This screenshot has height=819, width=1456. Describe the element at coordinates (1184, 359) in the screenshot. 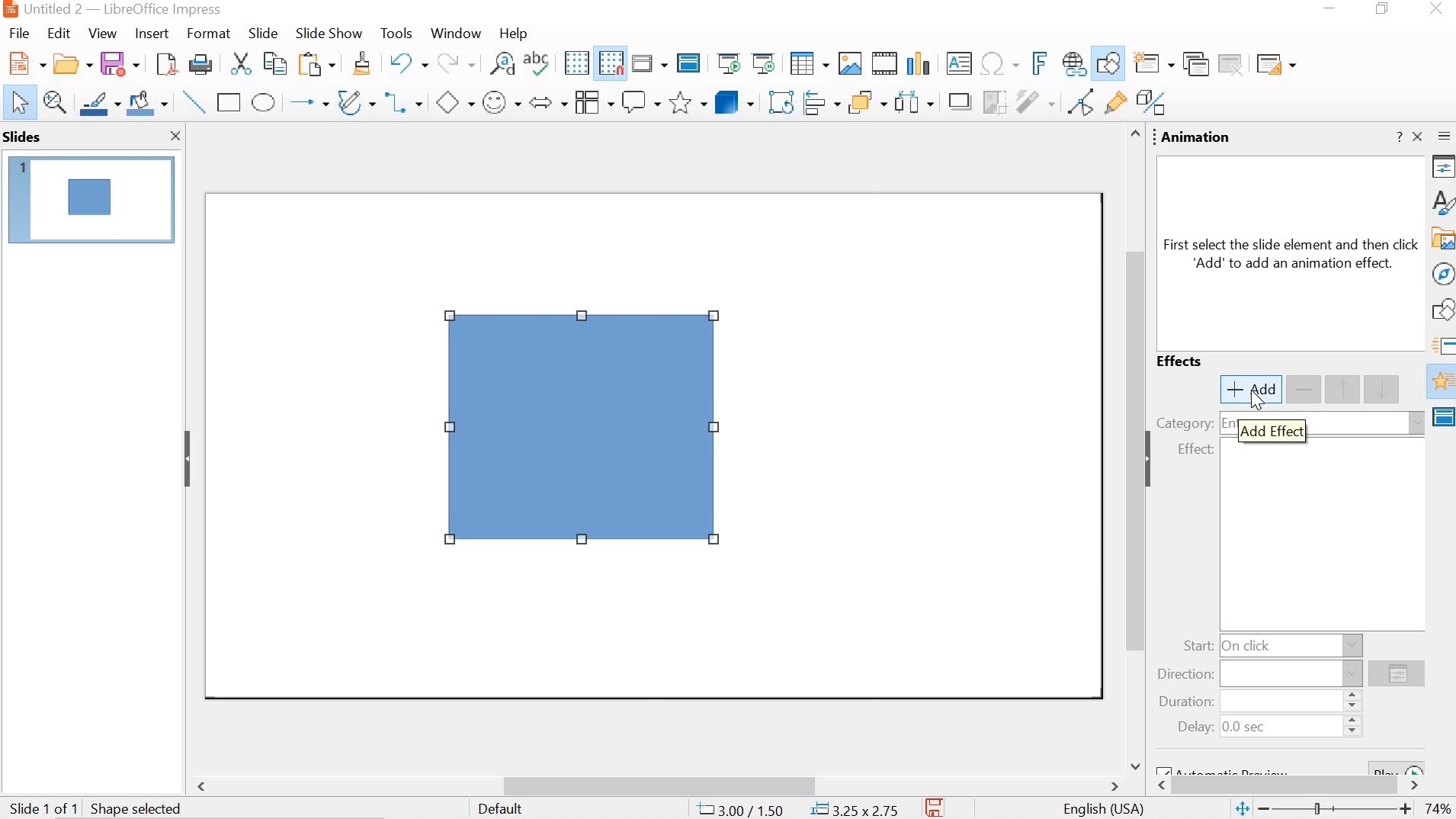

I see `effects` at that location.